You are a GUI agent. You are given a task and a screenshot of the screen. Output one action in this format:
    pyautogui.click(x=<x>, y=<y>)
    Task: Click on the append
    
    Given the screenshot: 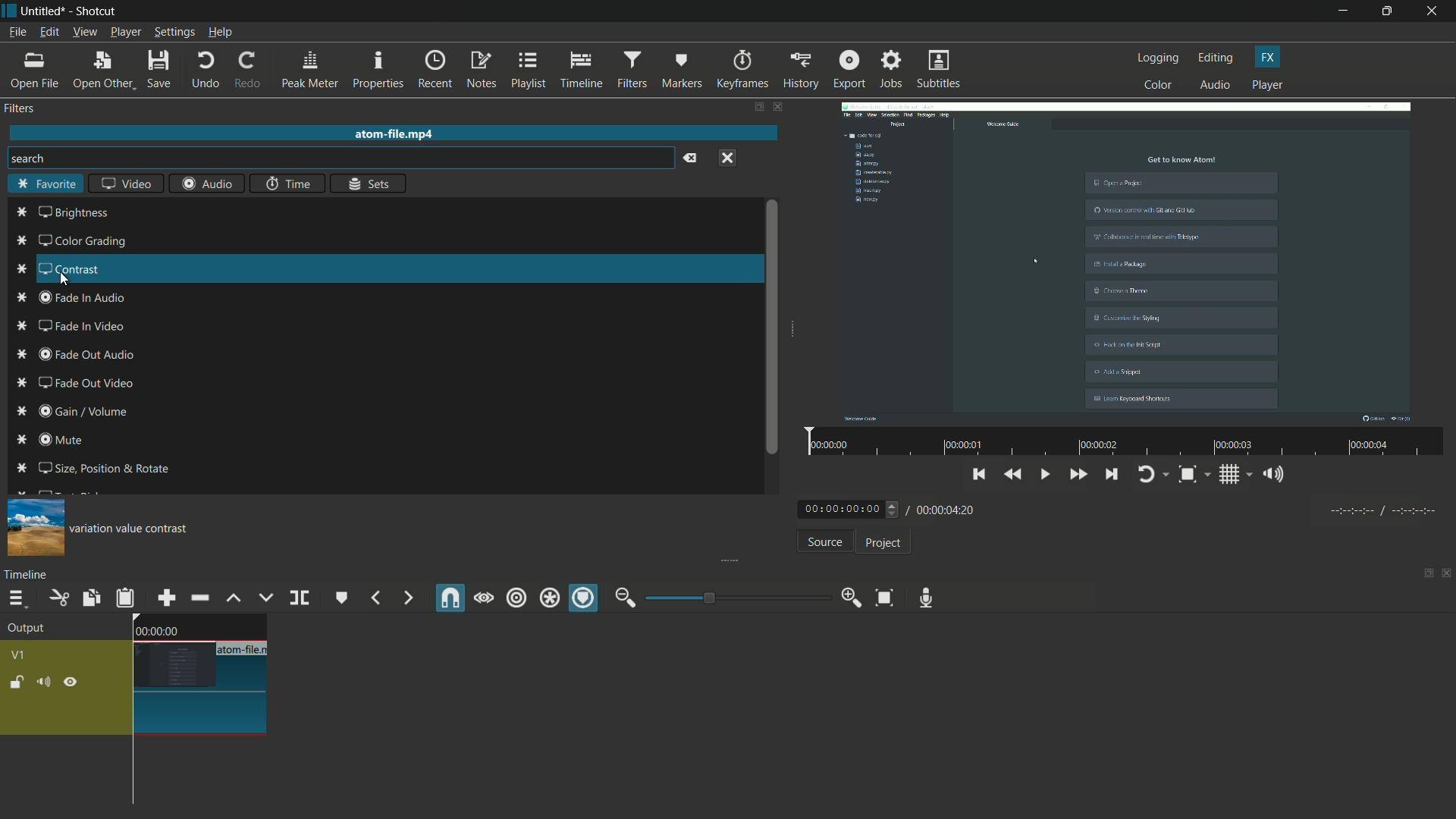 What is the action you would take?
    pyautogui.click(x=165, y=598)
    